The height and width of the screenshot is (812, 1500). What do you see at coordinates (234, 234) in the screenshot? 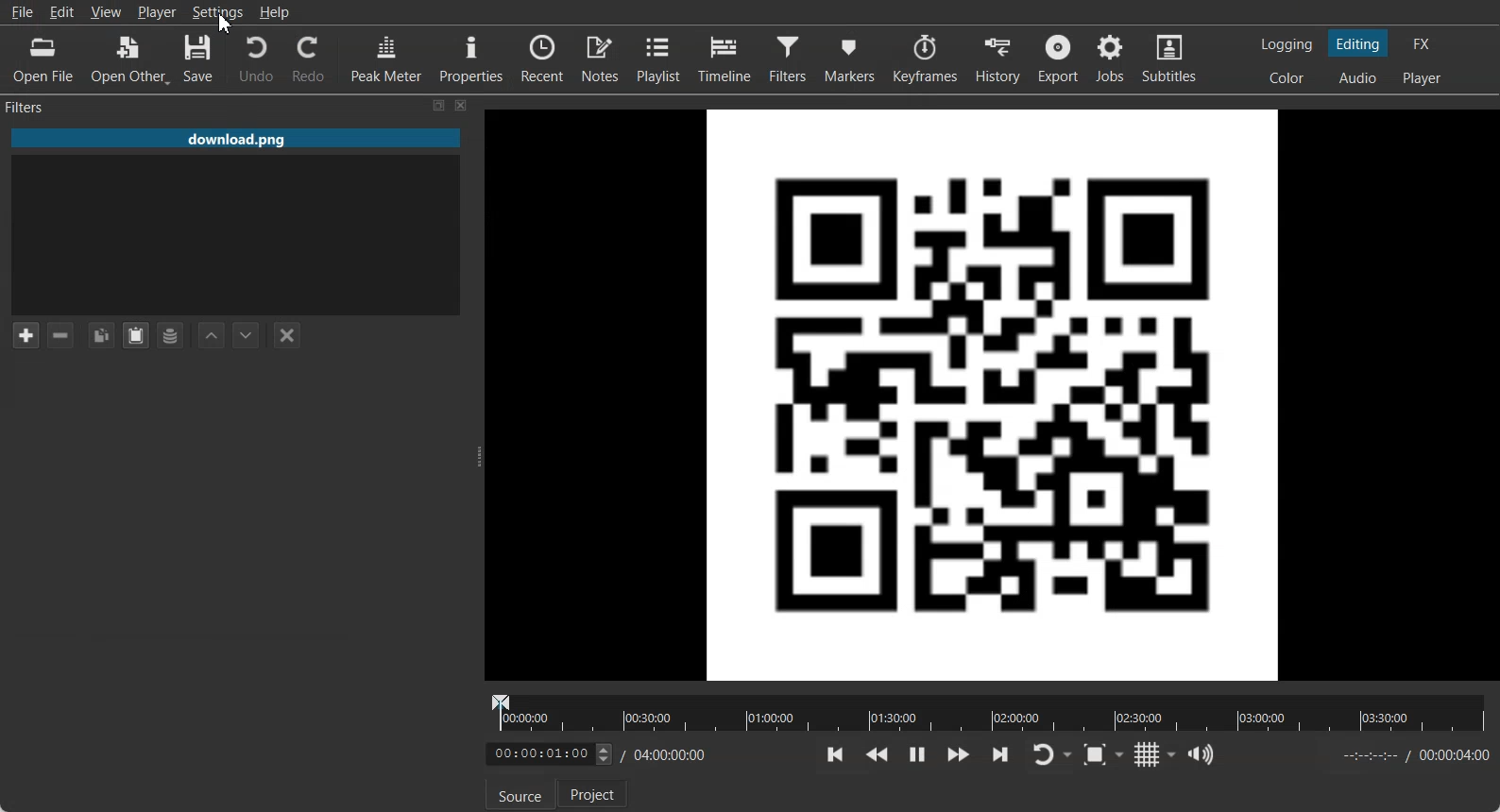
I see `Select clip` at bounding box center [234, 234].